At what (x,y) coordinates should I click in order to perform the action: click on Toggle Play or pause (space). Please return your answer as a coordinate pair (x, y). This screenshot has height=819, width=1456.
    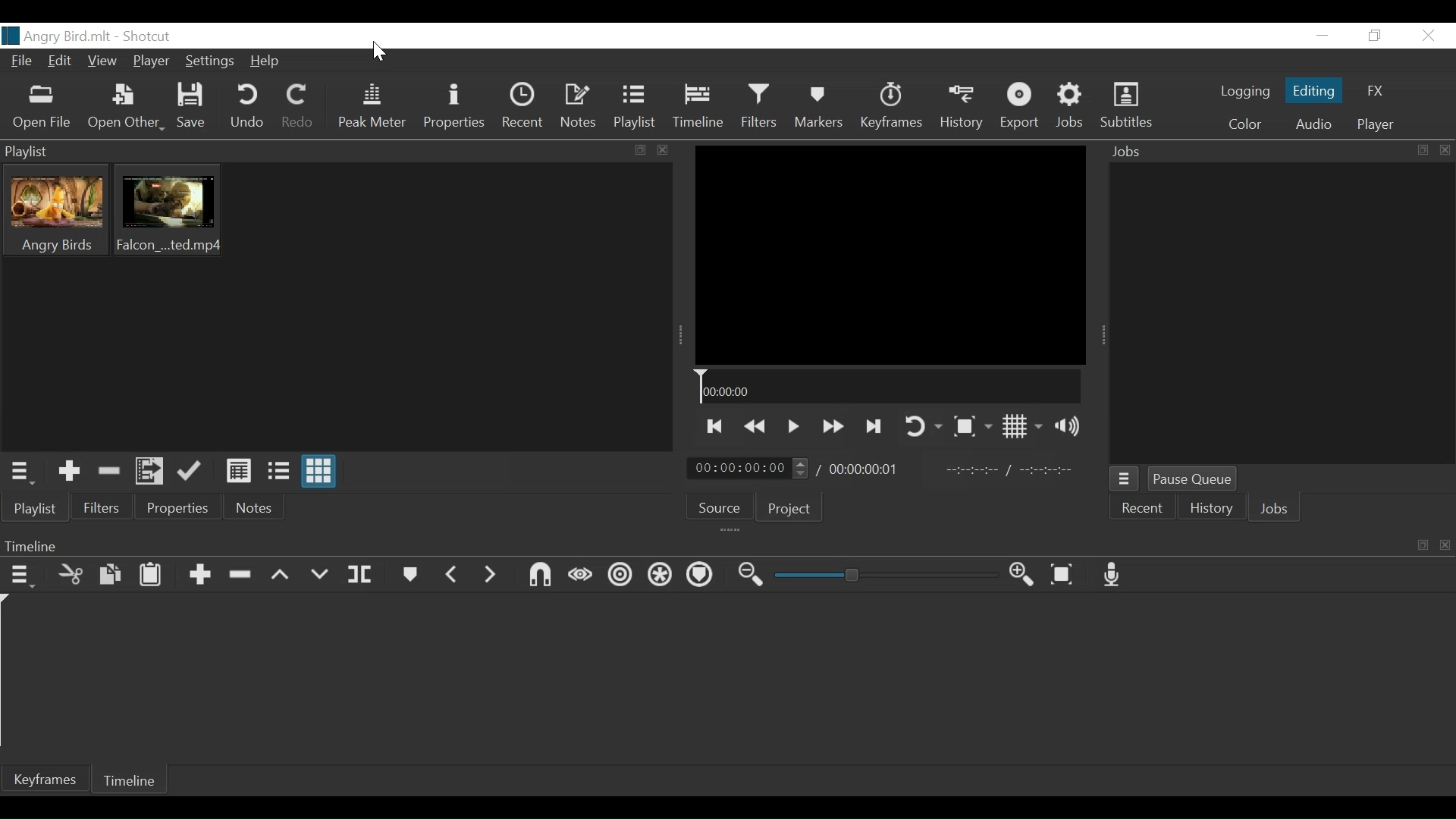
    Looking at the image, I should click on (792, 426).